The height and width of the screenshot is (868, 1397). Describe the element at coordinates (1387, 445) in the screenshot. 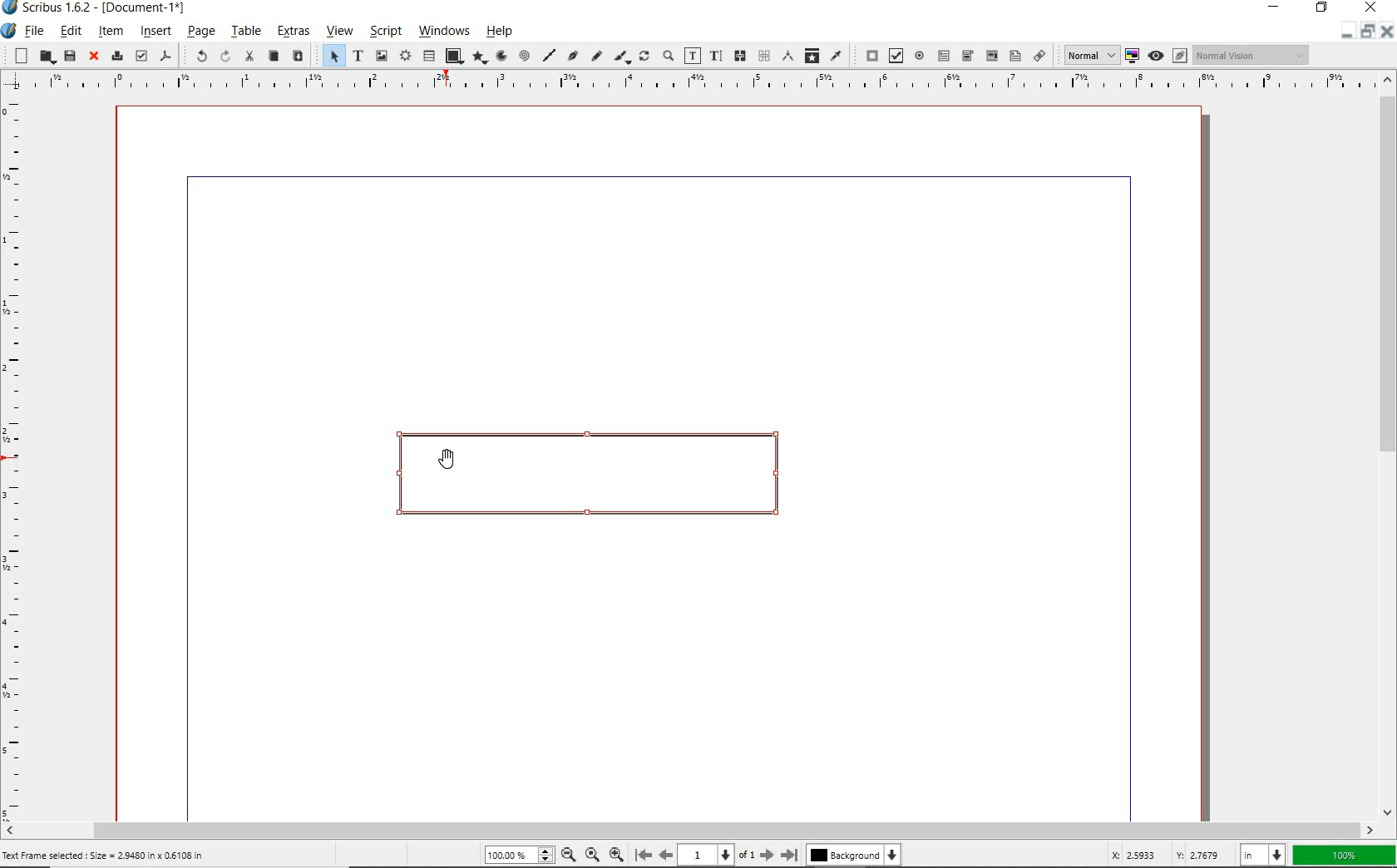

I see `scrollbar` at that location.